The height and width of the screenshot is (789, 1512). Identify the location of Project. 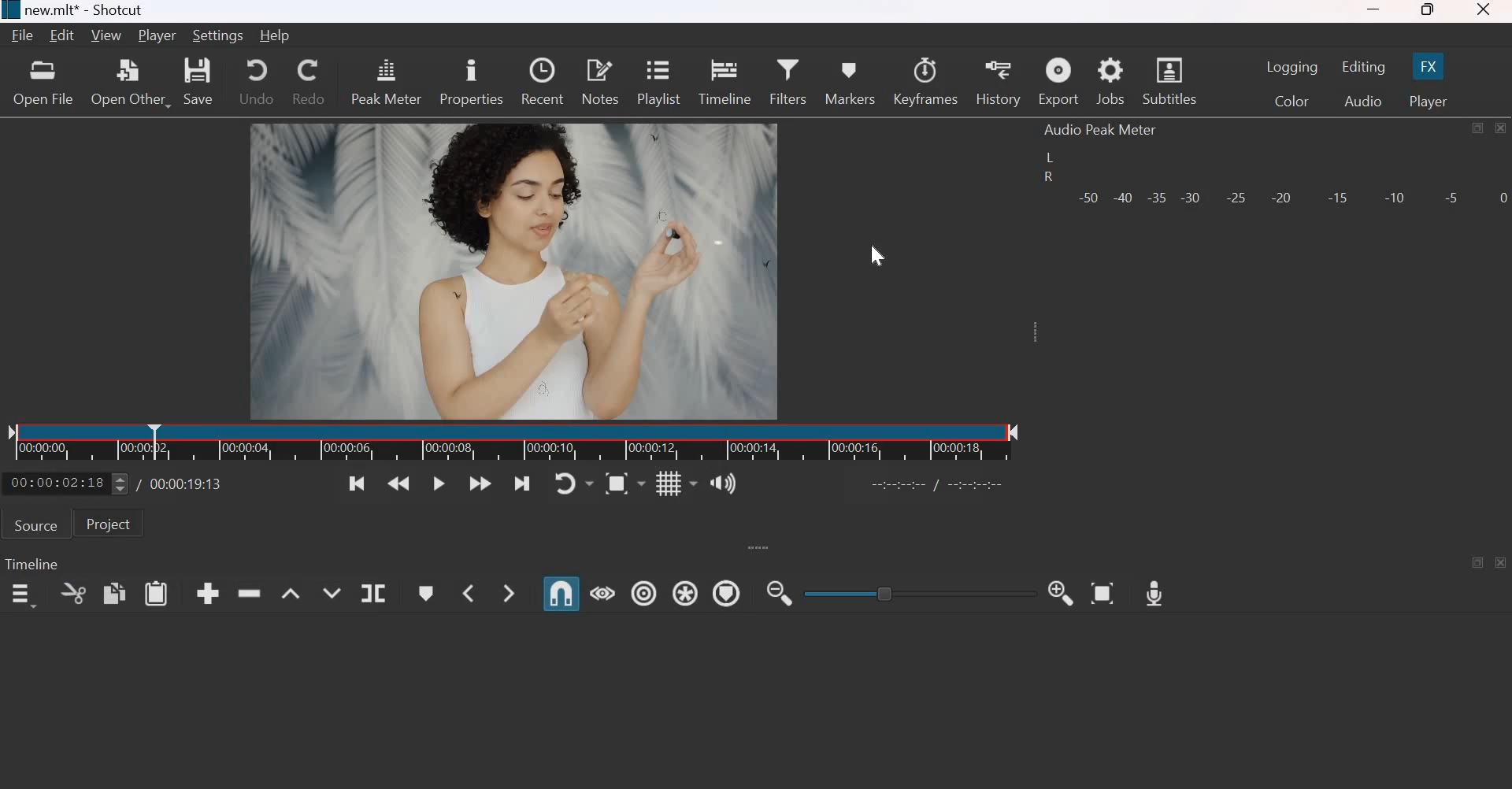
(107, 524).